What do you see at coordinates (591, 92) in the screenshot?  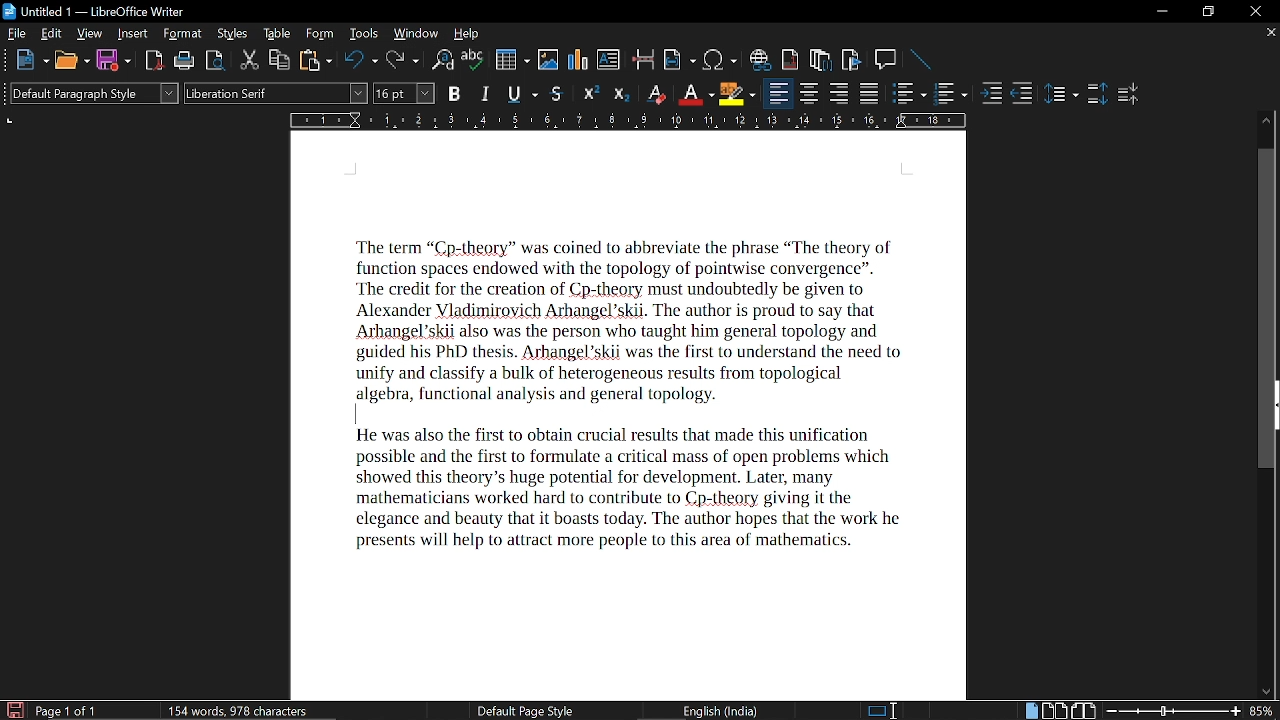 I see `Superscript` at bounding box center [591, 92].